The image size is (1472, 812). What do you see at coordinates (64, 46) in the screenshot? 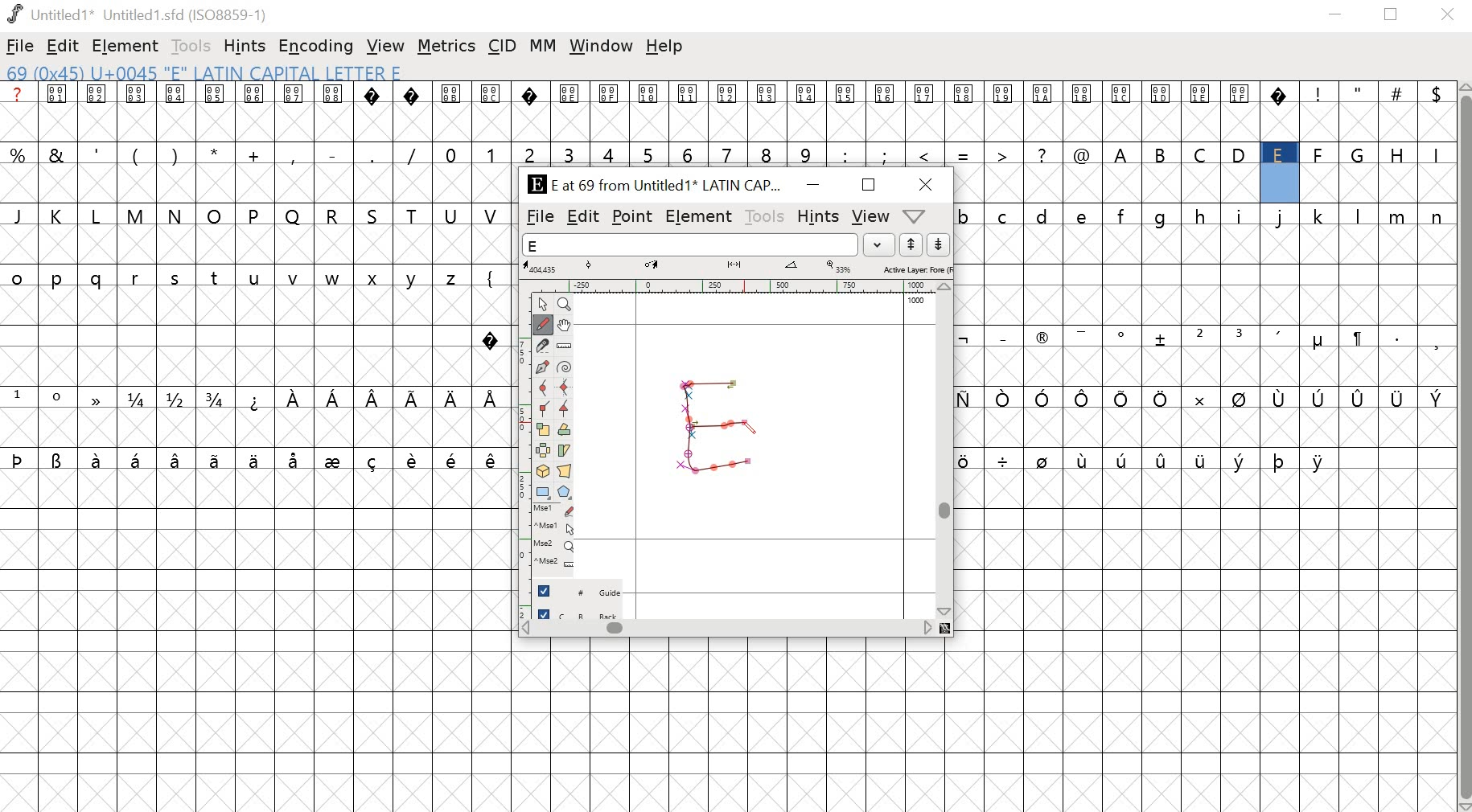
I see `edit` at bounding box center [64, 46].